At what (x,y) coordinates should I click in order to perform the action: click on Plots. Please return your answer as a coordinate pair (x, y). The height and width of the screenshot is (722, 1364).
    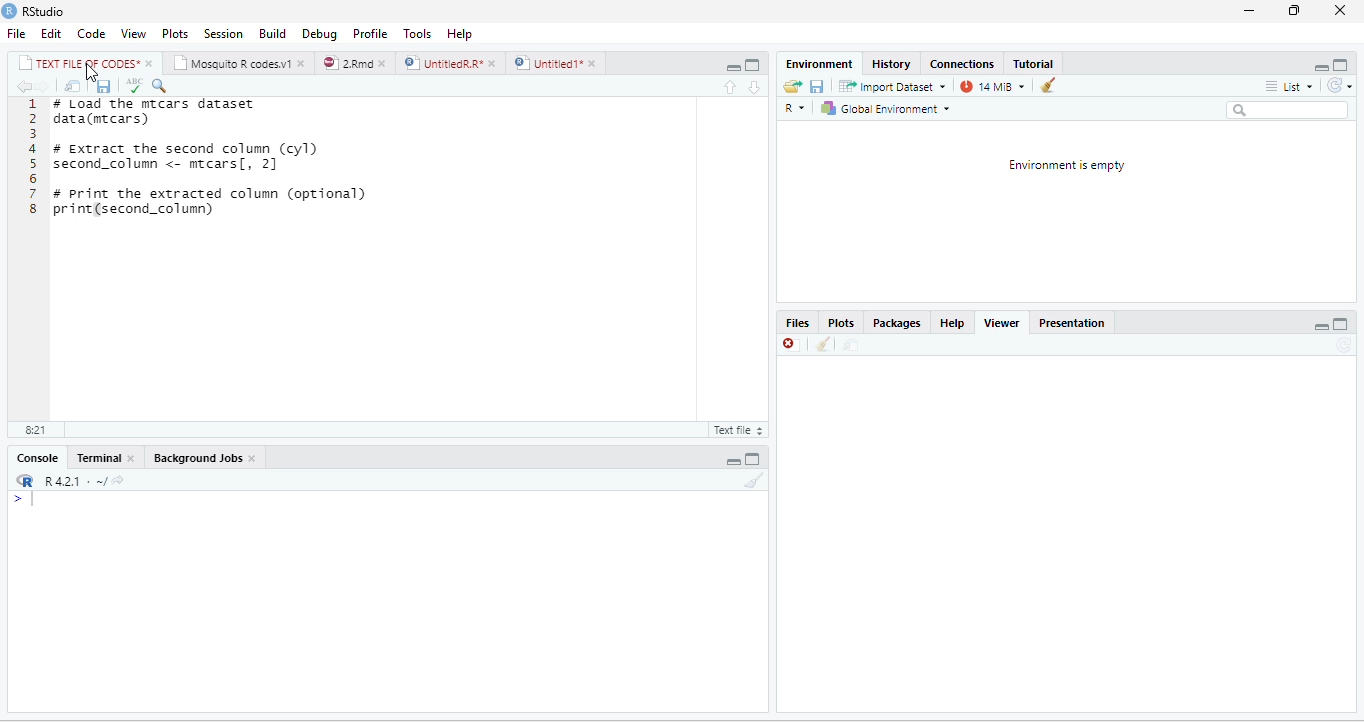
    Looking at the image, I should click on (845, 323).